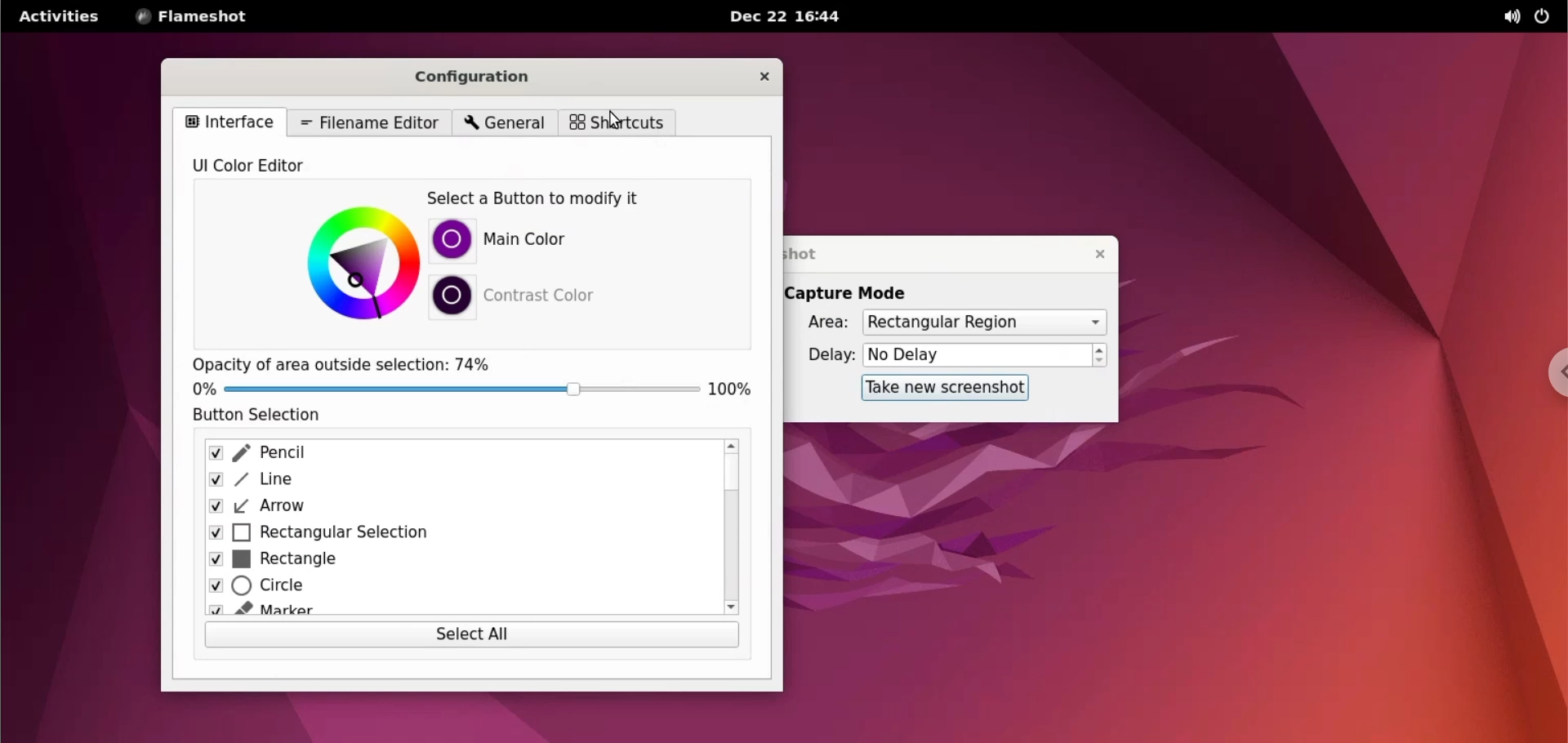 The height and width of the screenshot is (743, 1568). Describe the element at coordinates (483, 78) in the screenshot. I see `configuration` at that location.